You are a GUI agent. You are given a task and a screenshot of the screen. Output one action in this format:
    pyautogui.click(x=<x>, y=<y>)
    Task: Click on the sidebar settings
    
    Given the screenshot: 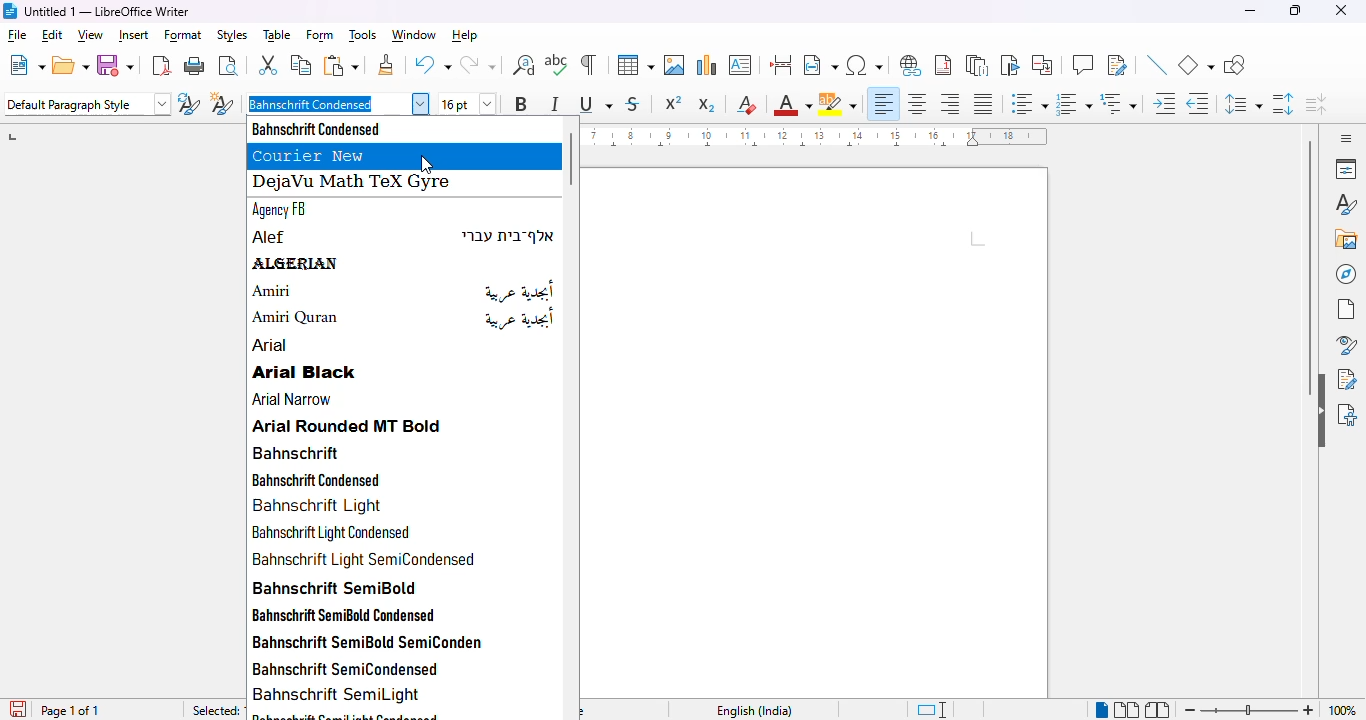 What is the action you would take?
    pyautogui.click(x=1343, y=138)
    